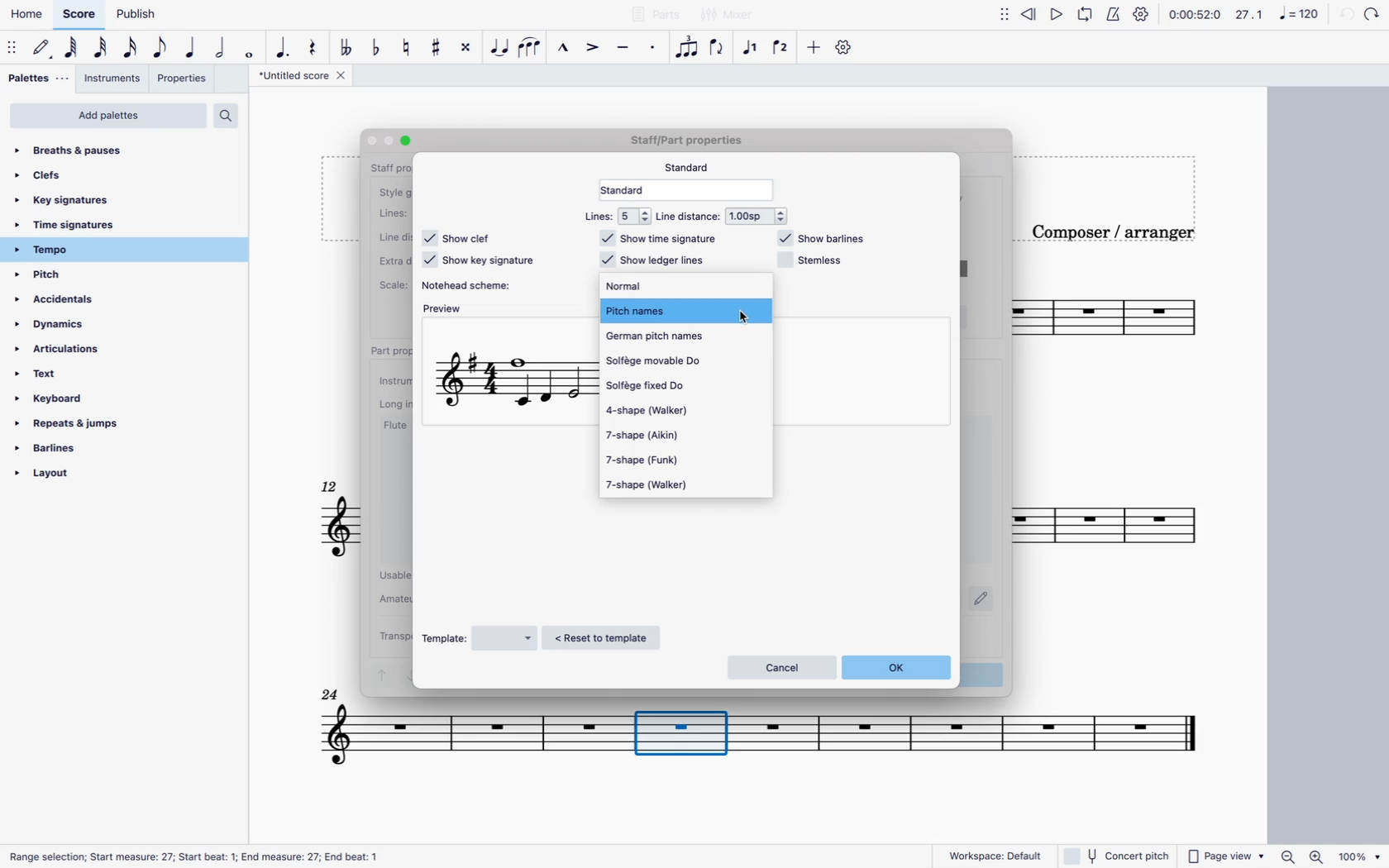  I want to click on 4-shape, so click(665, 410).